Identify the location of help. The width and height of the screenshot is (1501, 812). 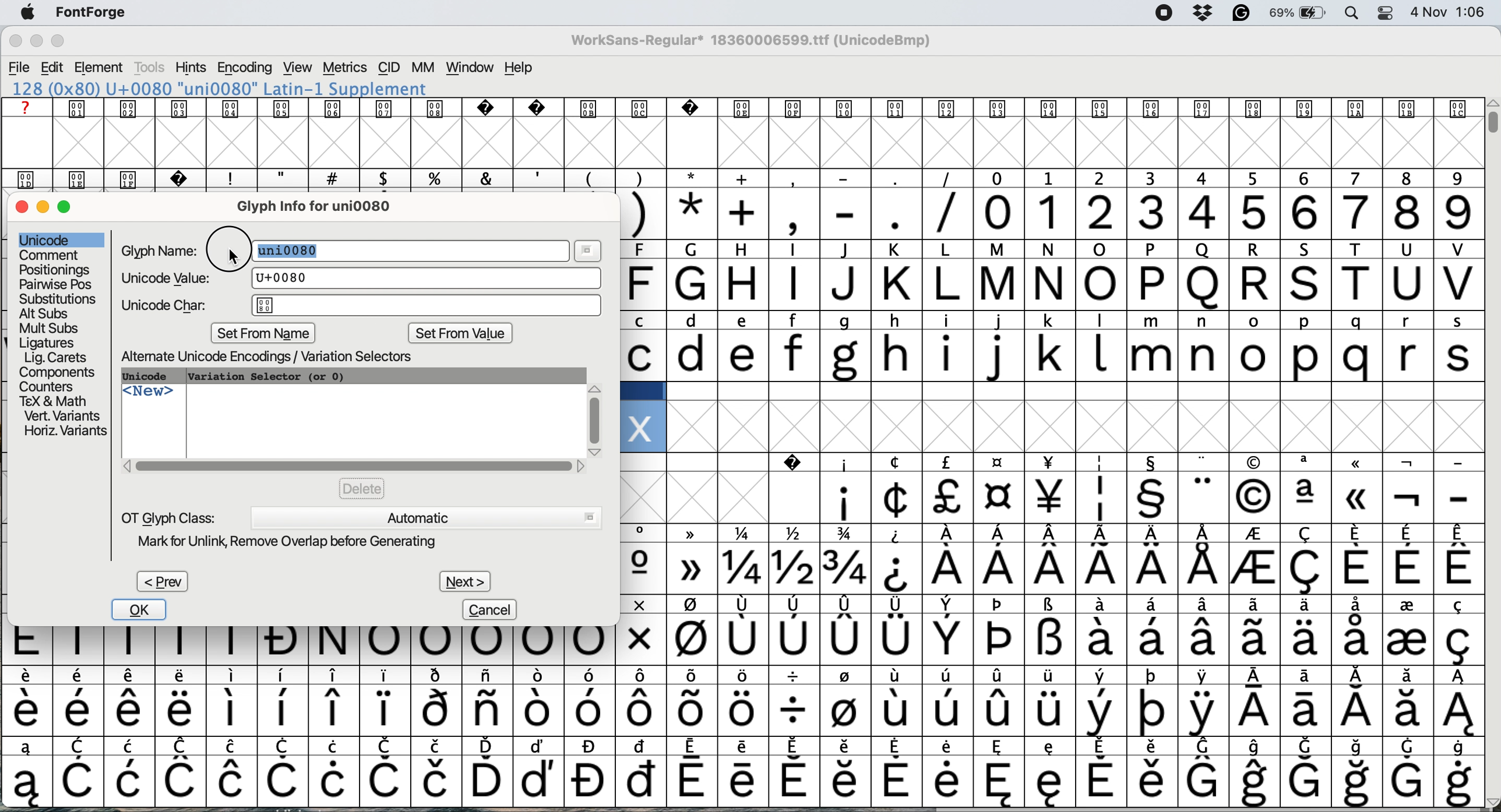
(520, 68).